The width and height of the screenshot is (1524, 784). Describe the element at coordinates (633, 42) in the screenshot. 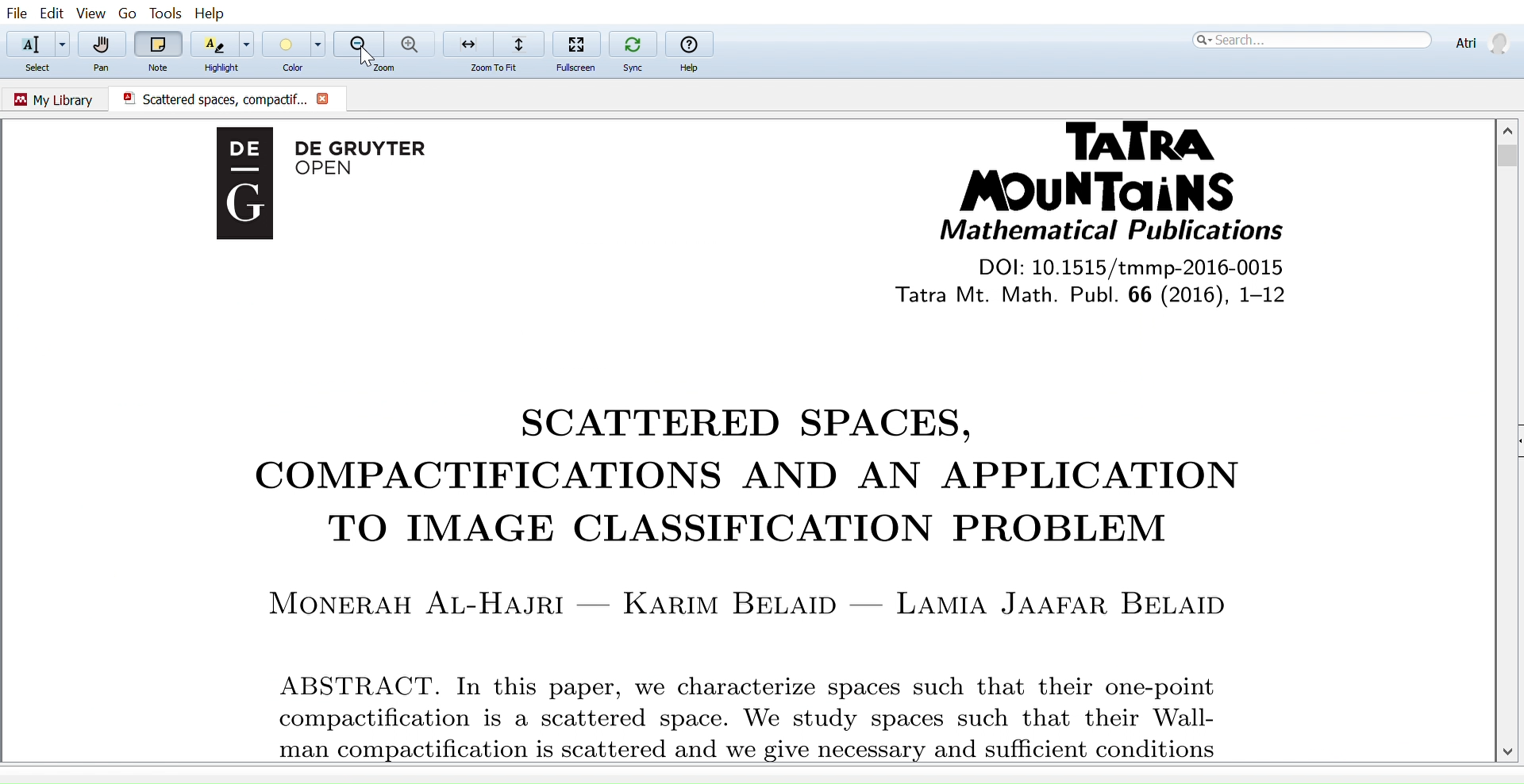

I see `Sync` at that location.